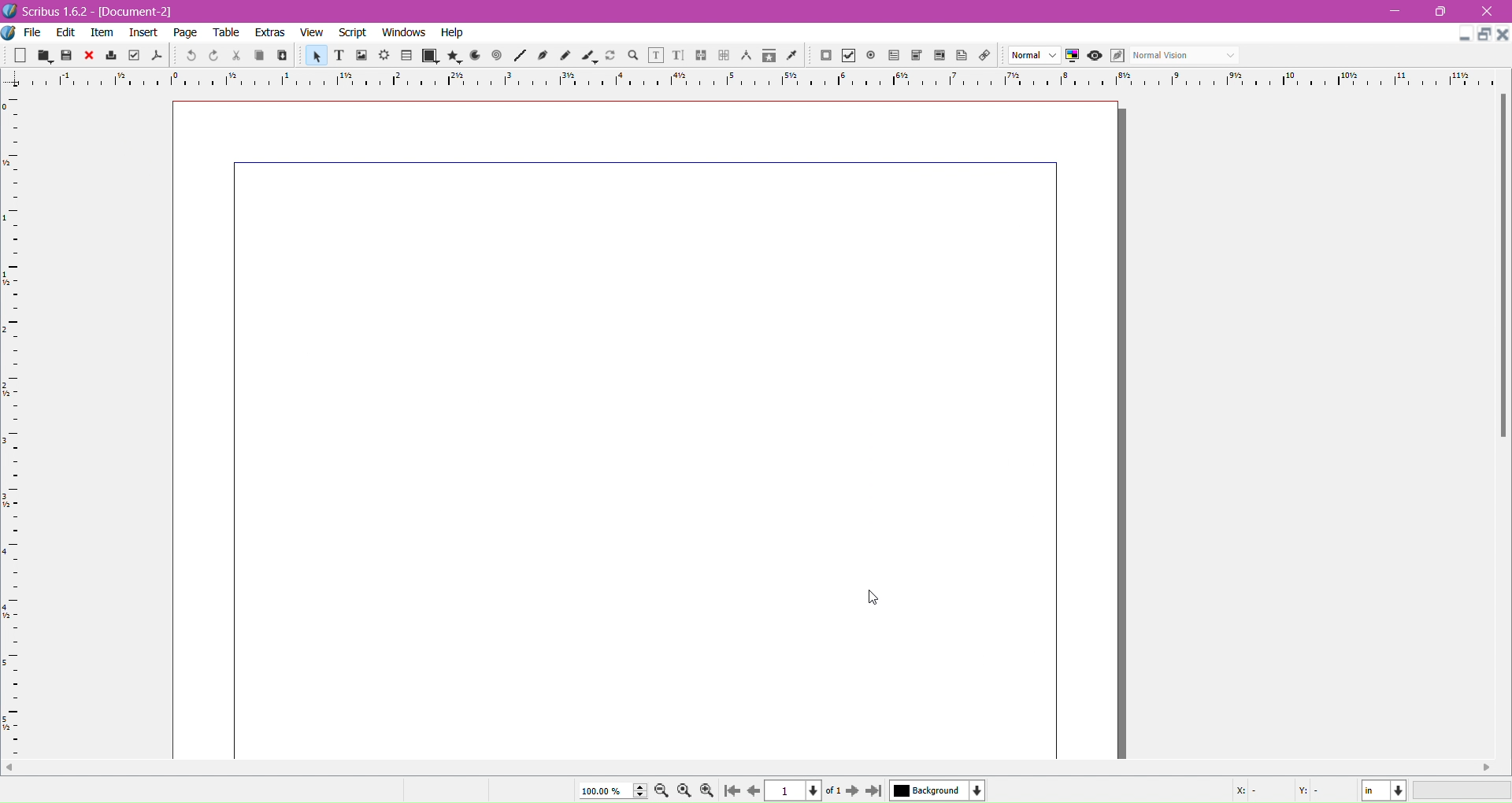  What do you see at coordinates (792, 57) in the screenshot?
I see `icon` at bounding box center [792, 57].